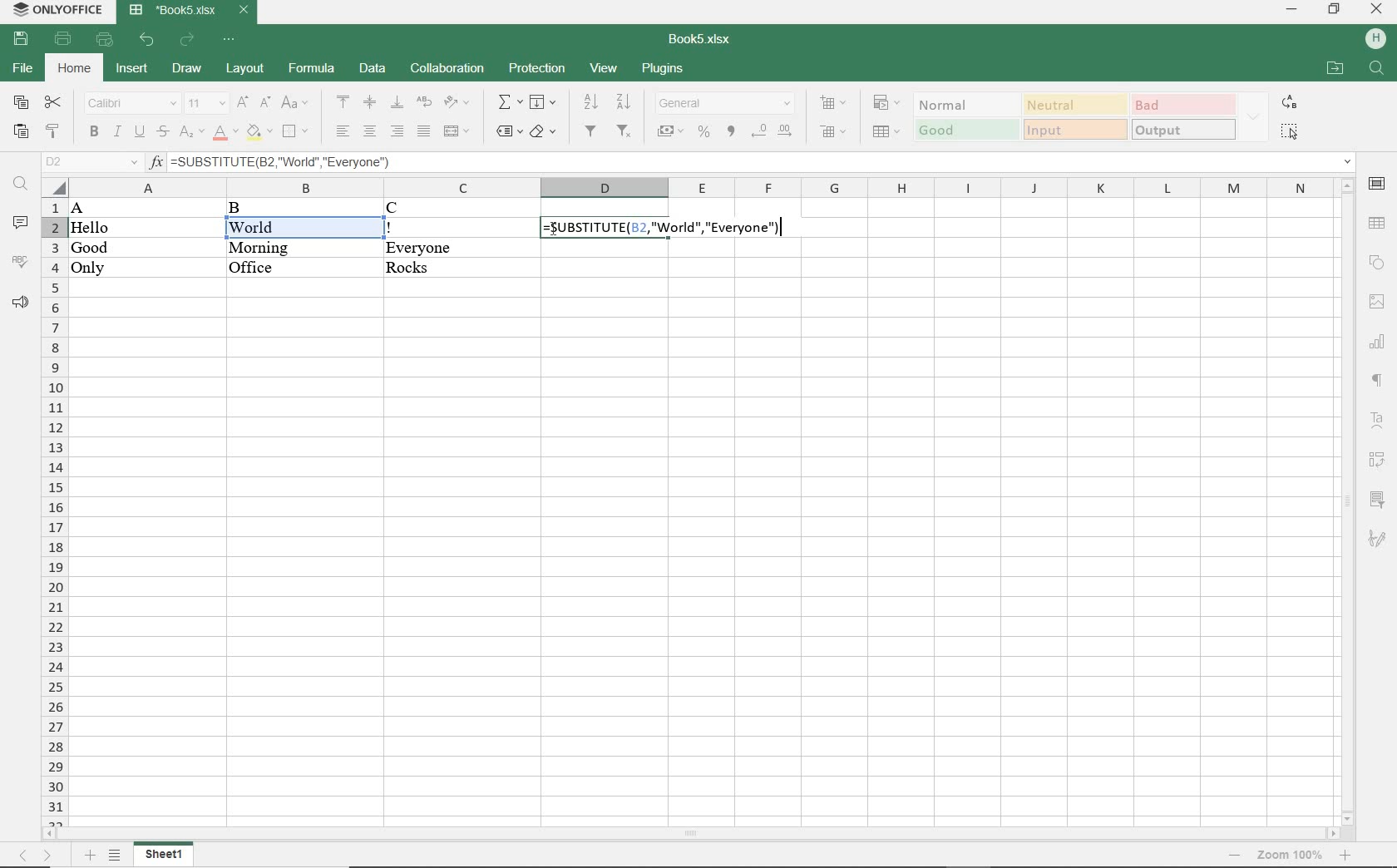  I want to click on input function, so click(157, 163).